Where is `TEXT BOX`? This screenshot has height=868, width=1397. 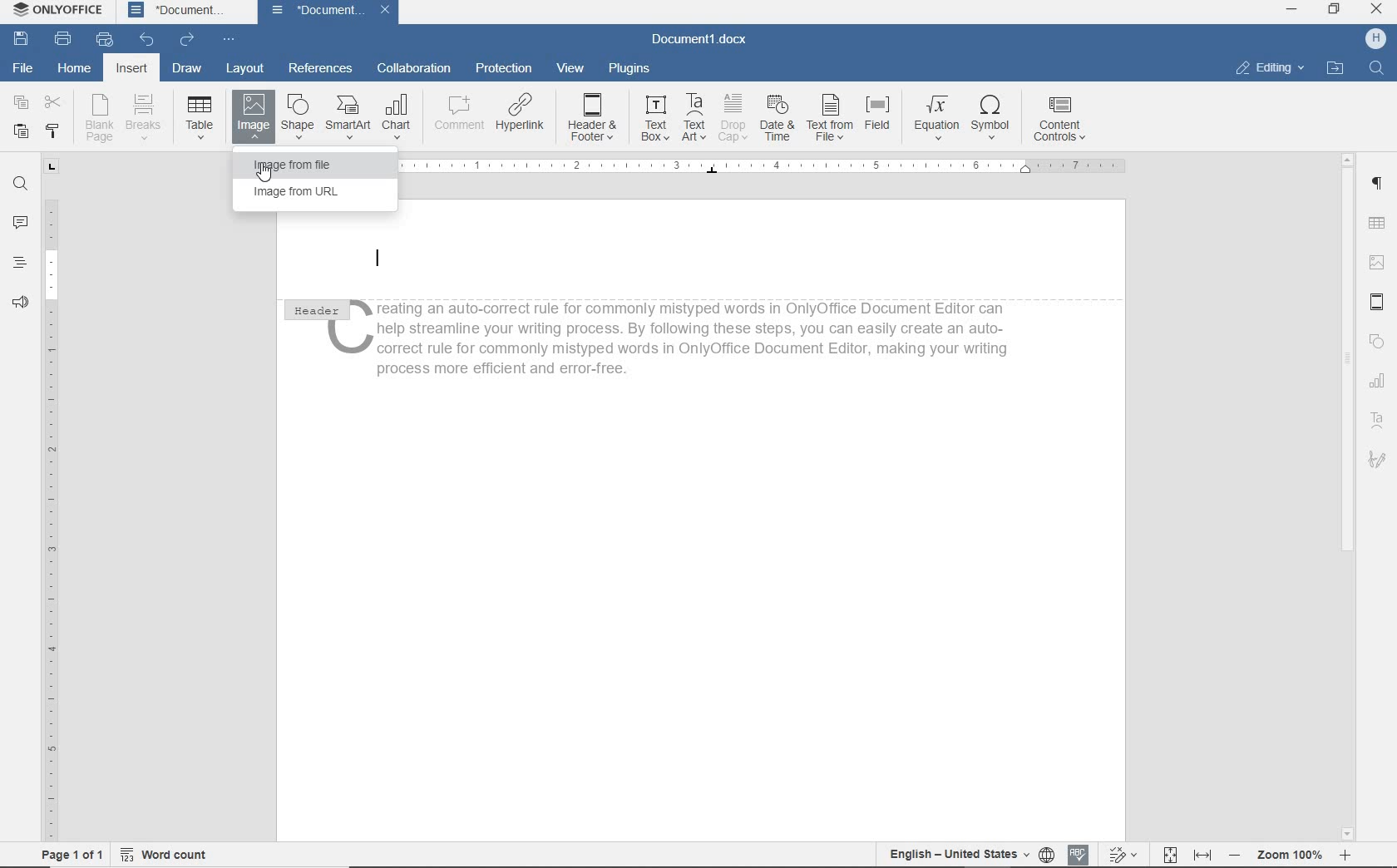
TEXT BOX is located at coordinates (654, 121).